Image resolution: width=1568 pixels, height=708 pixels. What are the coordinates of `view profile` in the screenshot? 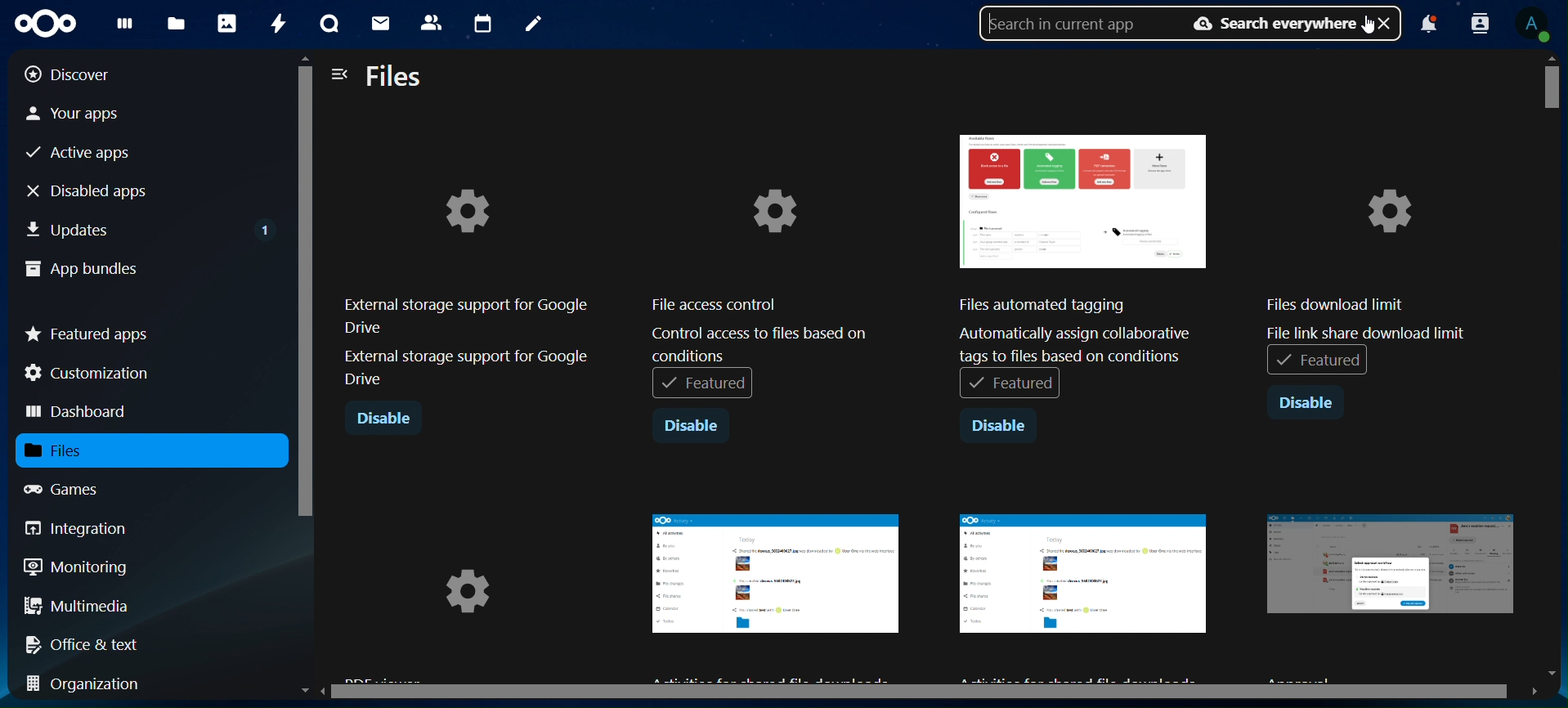 It's located at (1538, 25).